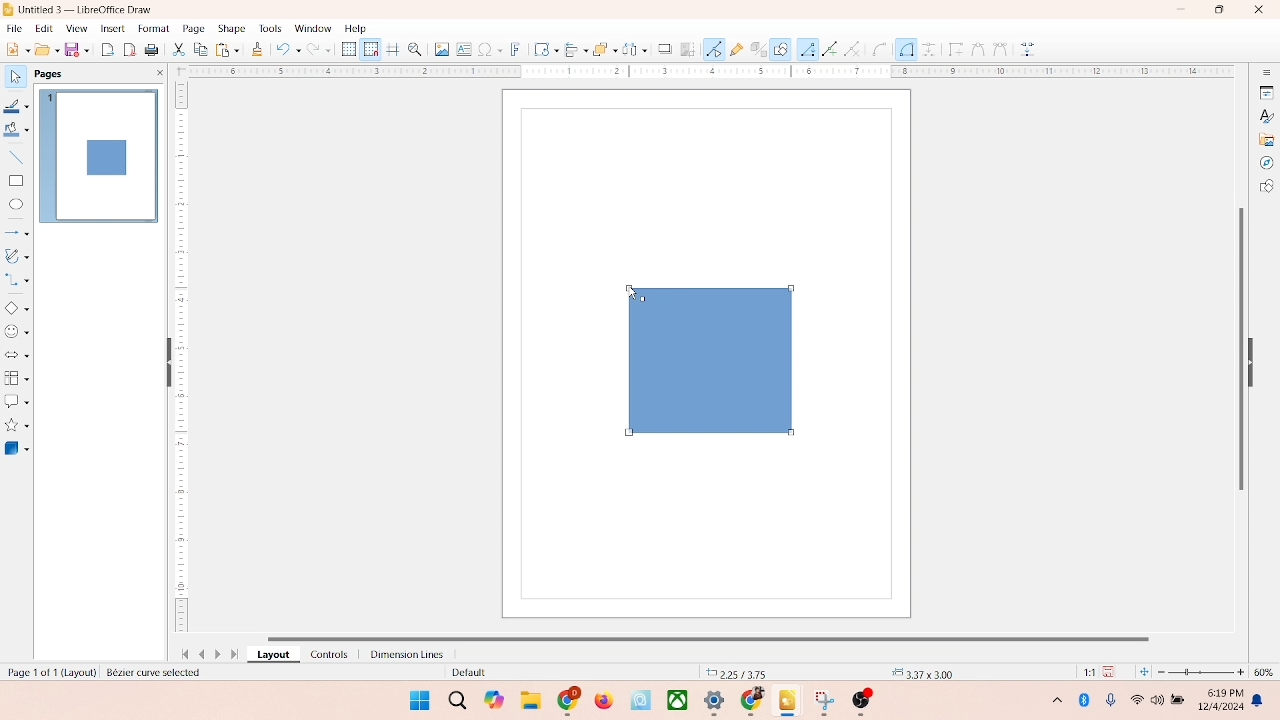 This screenshot has width=1280, height=720. I want to click on horizontal scroll bar, so click(724, 636).